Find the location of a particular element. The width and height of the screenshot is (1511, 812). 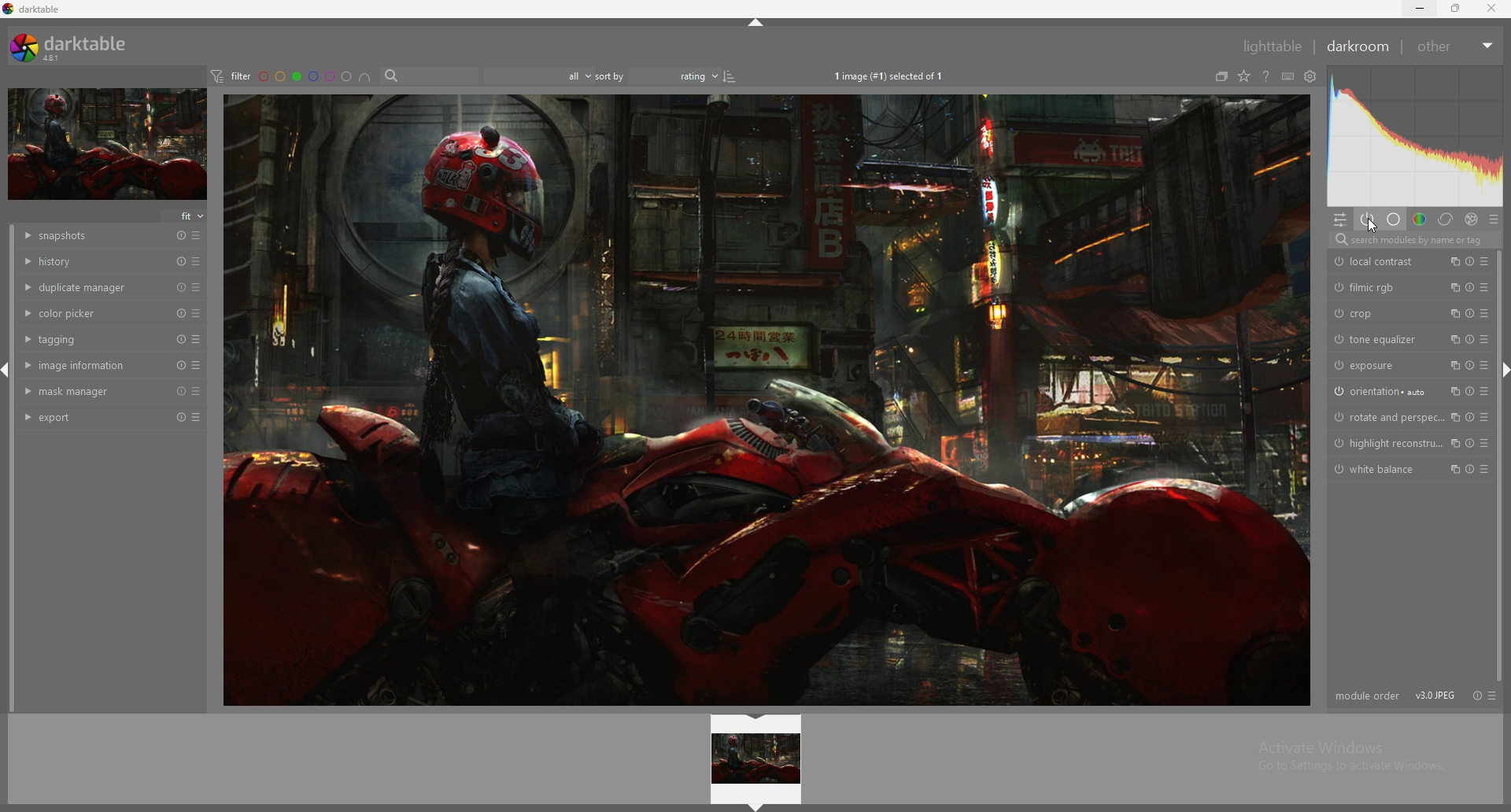

photo heatmap is located at coordinates (1416, 135).